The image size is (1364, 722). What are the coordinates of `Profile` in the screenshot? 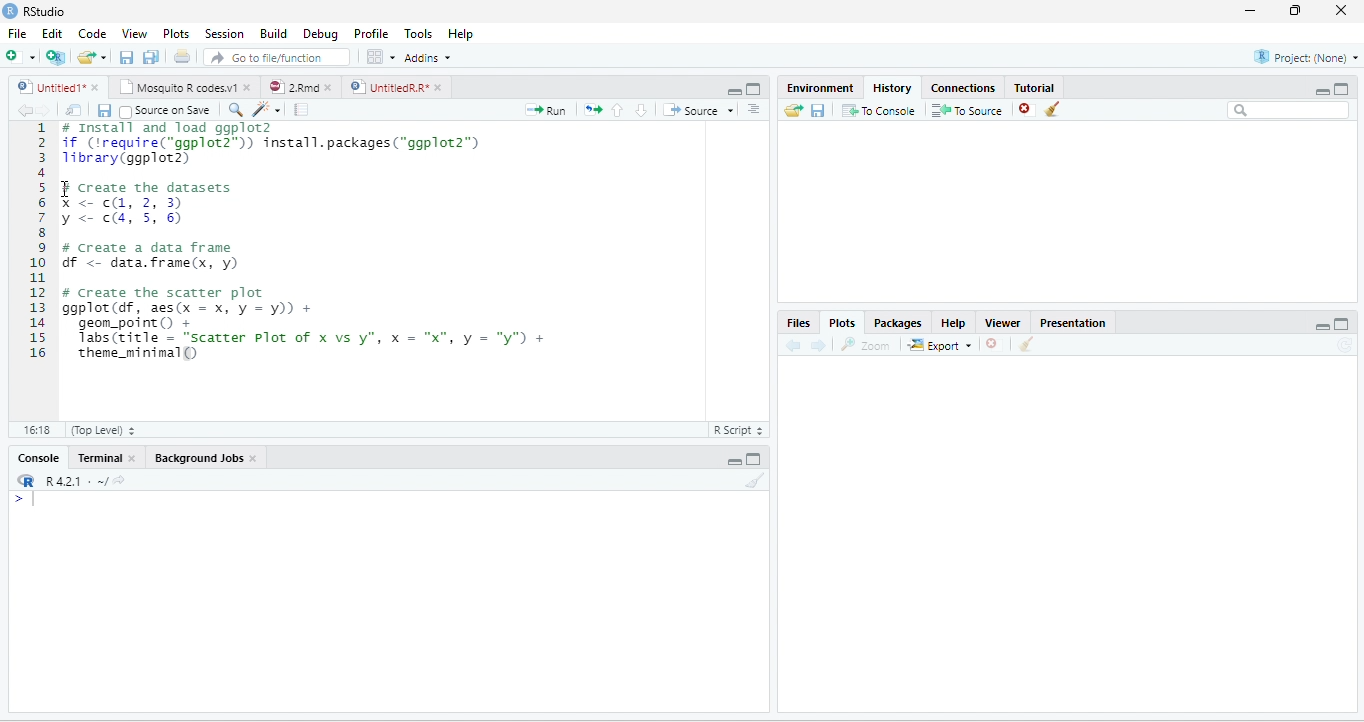 It's located at (371, 33).